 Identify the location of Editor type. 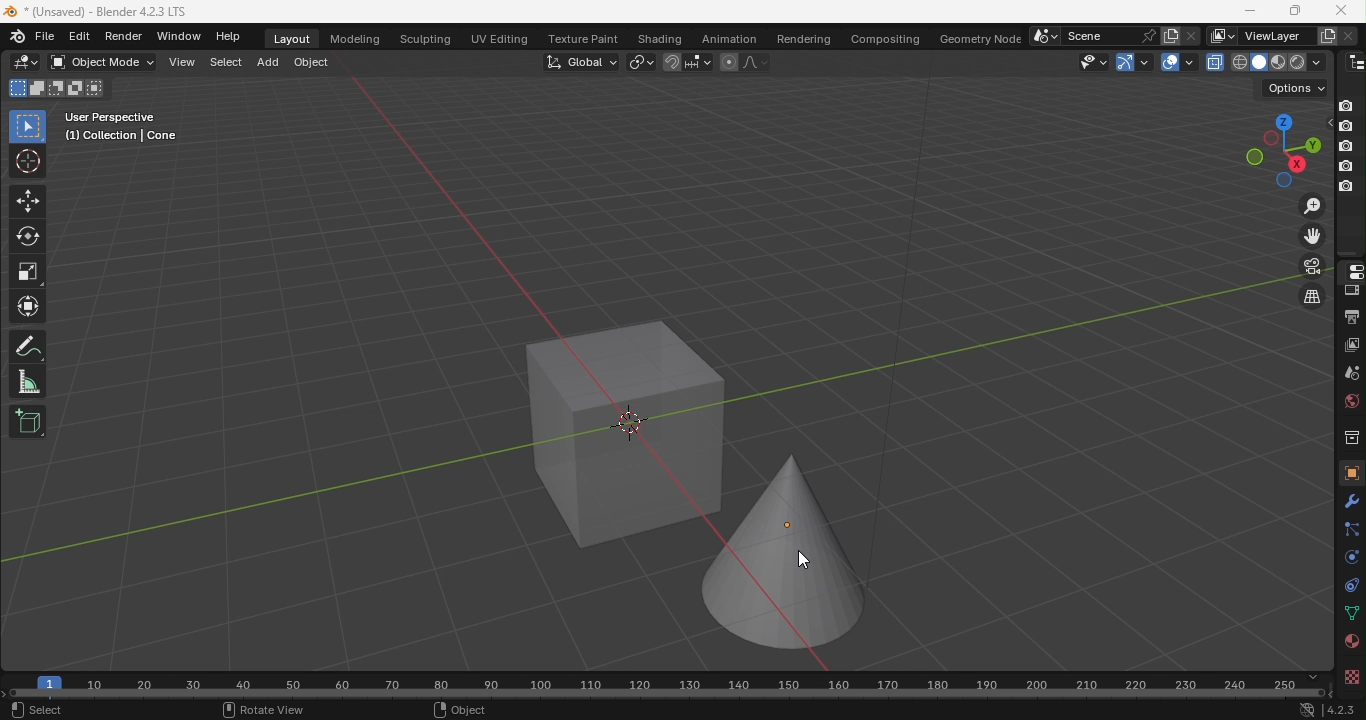
(1356, 60).